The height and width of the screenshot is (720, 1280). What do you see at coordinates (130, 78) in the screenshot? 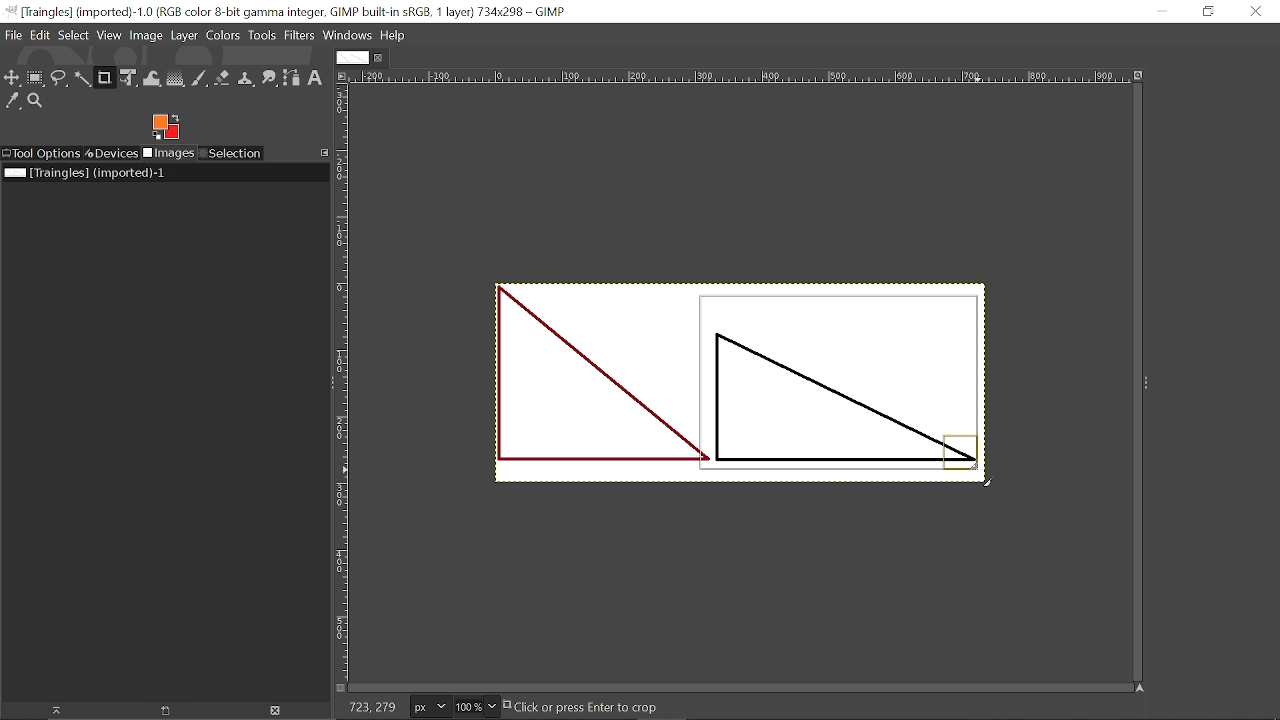
I see `Unified transform tool` at bounding box center [130, 78].